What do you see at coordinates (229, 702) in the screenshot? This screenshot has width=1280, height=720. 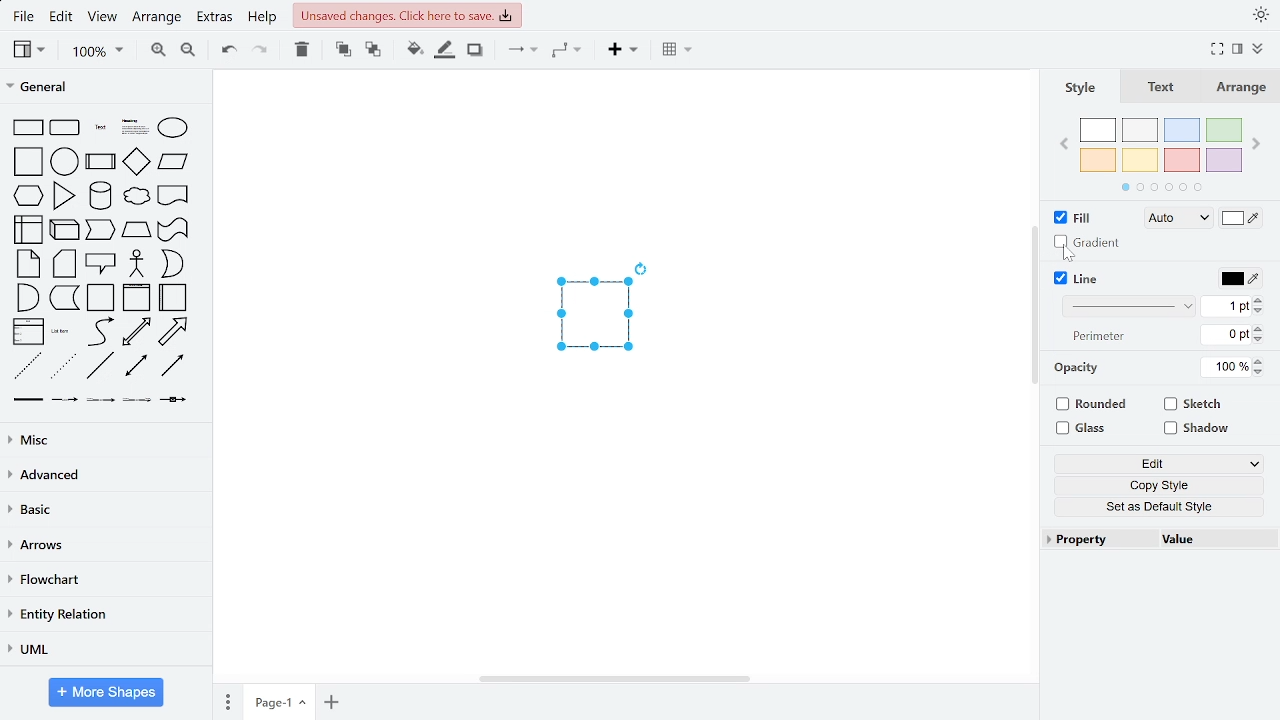 I see `pages` at bounding box center [229, 702].